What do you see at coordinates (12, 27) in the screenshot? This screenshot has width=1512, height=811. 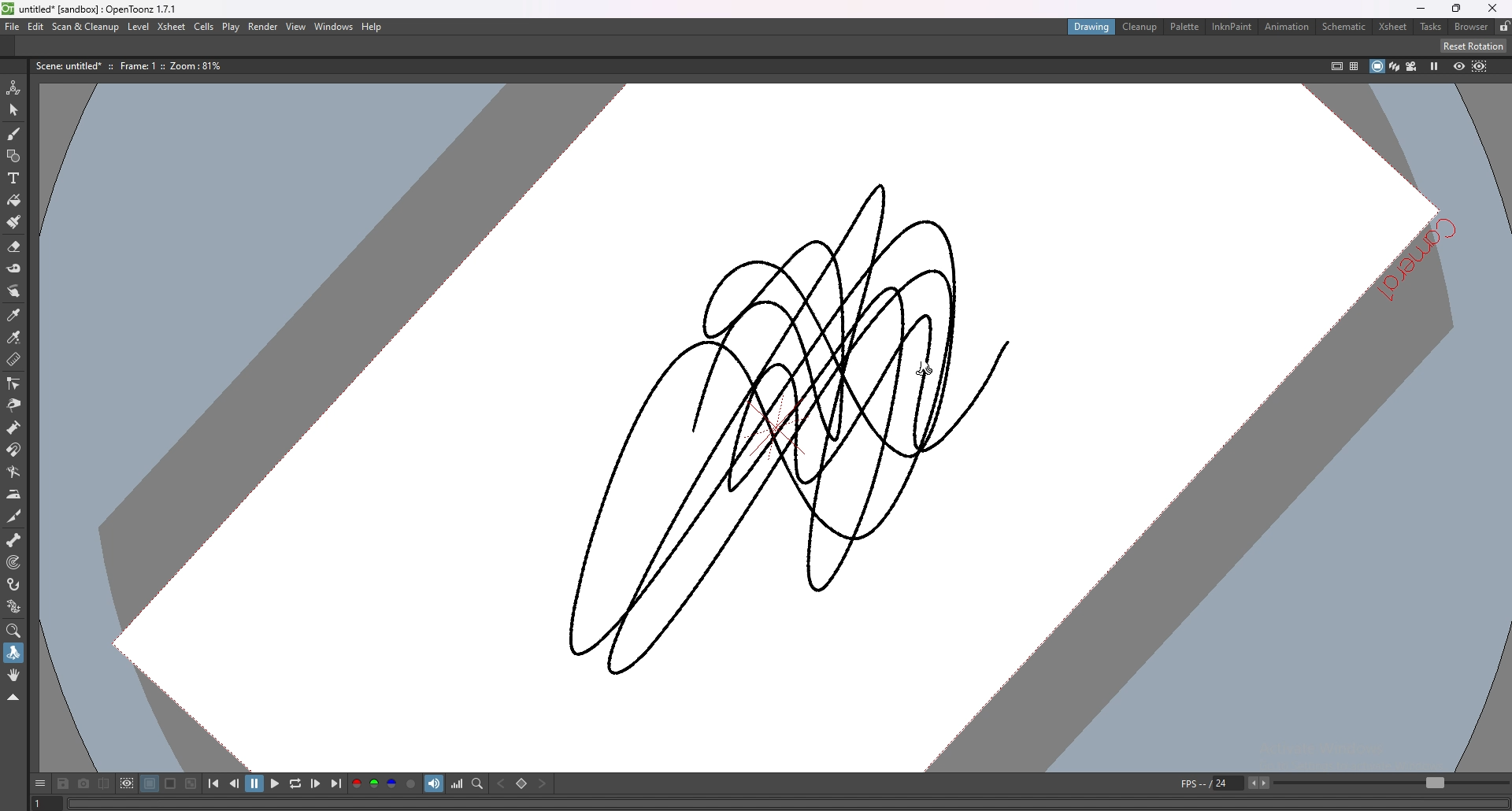 I see `file` at bounding box center [12, 27].